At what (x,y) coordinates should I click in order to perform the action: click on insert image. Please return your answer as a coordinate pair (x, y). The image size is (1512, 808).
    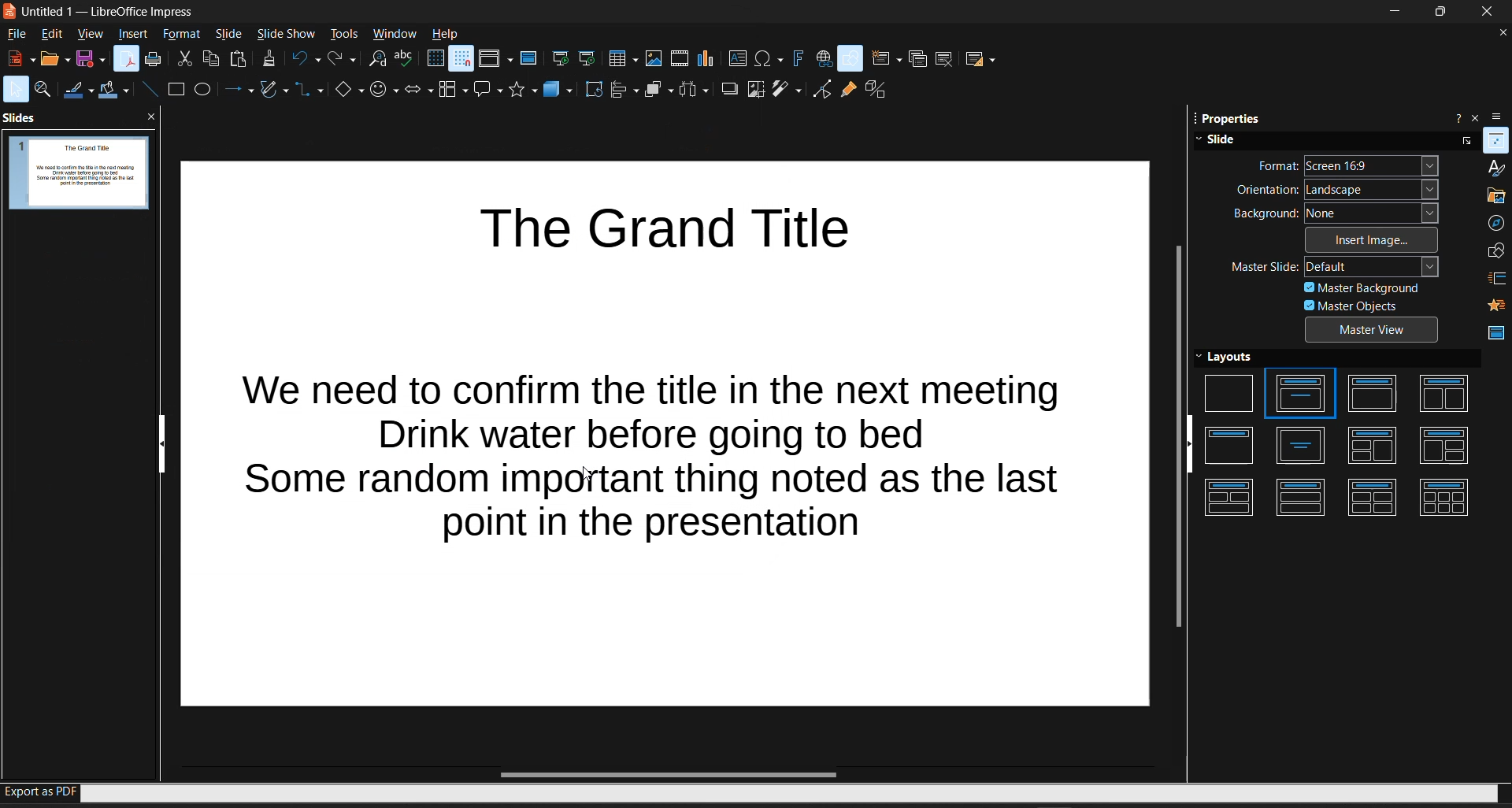
    Looking at the image, I should click on (1374, 239).